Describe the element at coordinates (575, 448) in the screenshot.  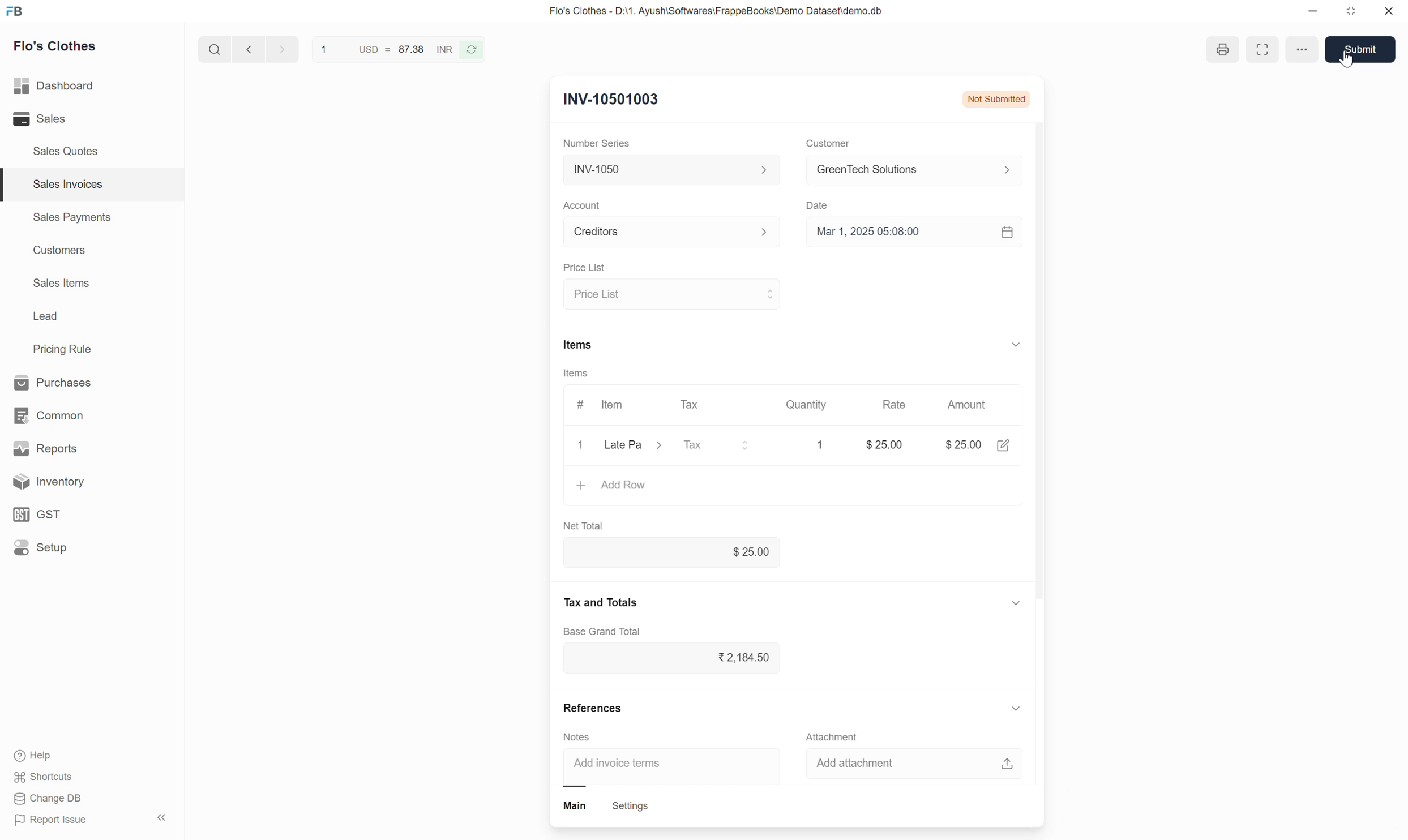
I see `close ` at that location.